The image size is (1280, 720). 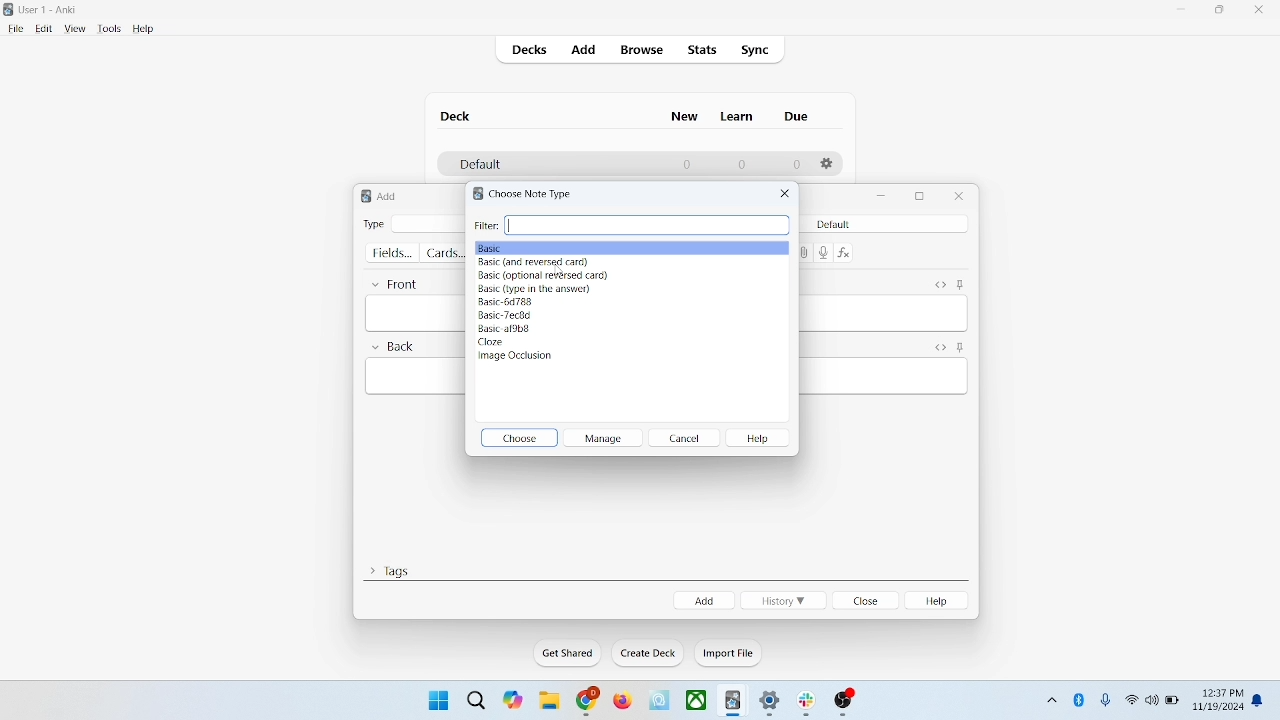 What do you see at coordinates (436, 699) in the screenshot?
I see `window` at bounding box center [436, 699].